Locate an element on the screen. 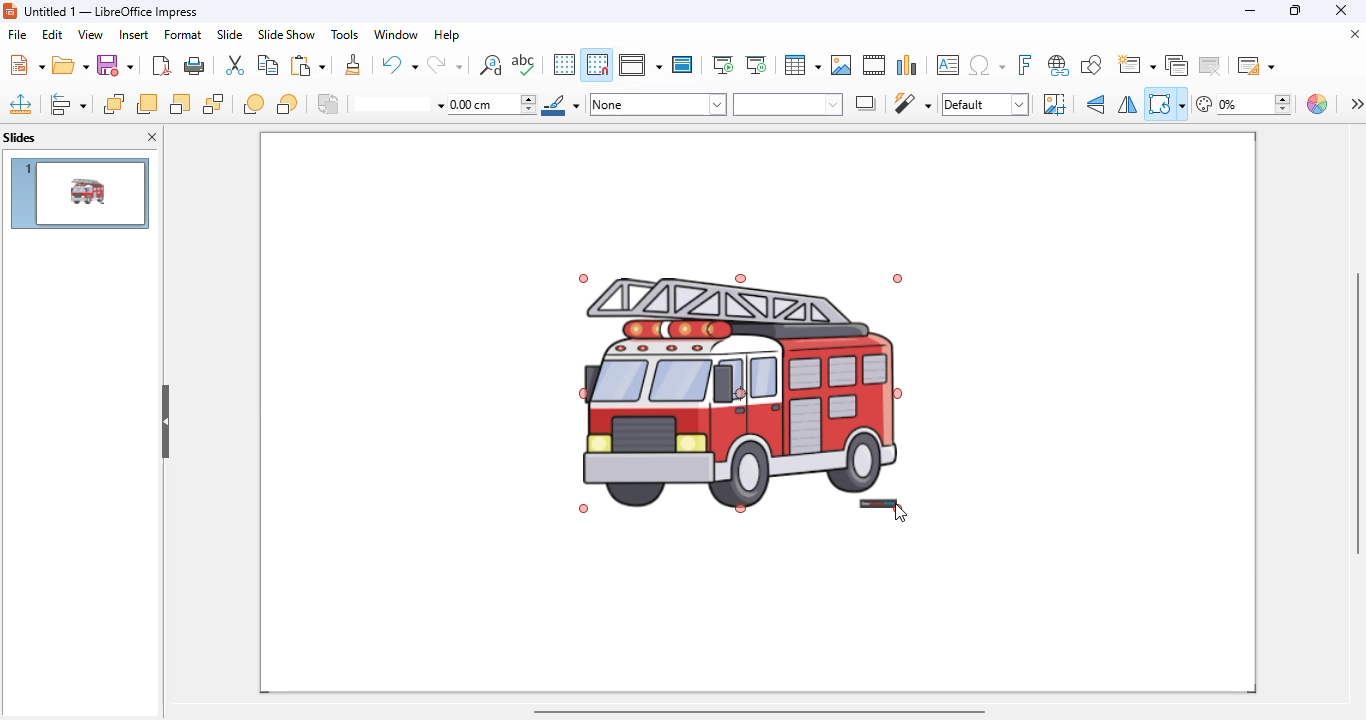 The image size is (1366, 720). show draw functions is located at coordinates (1092, 65).